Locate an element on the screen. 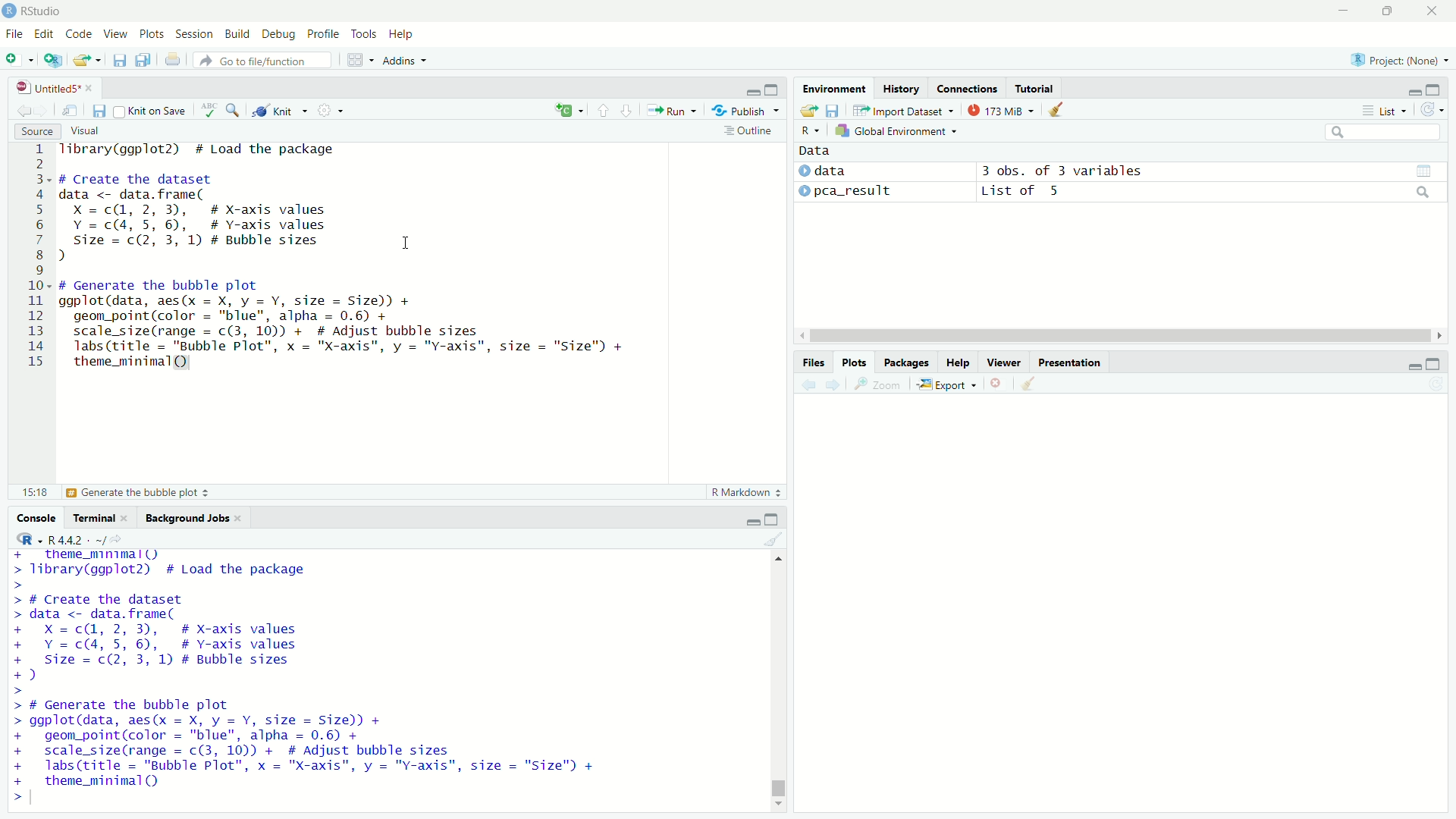 Image resolution: width=1456 pixels, height=819 pixels. presentation is located at coordinates (1069, 362).